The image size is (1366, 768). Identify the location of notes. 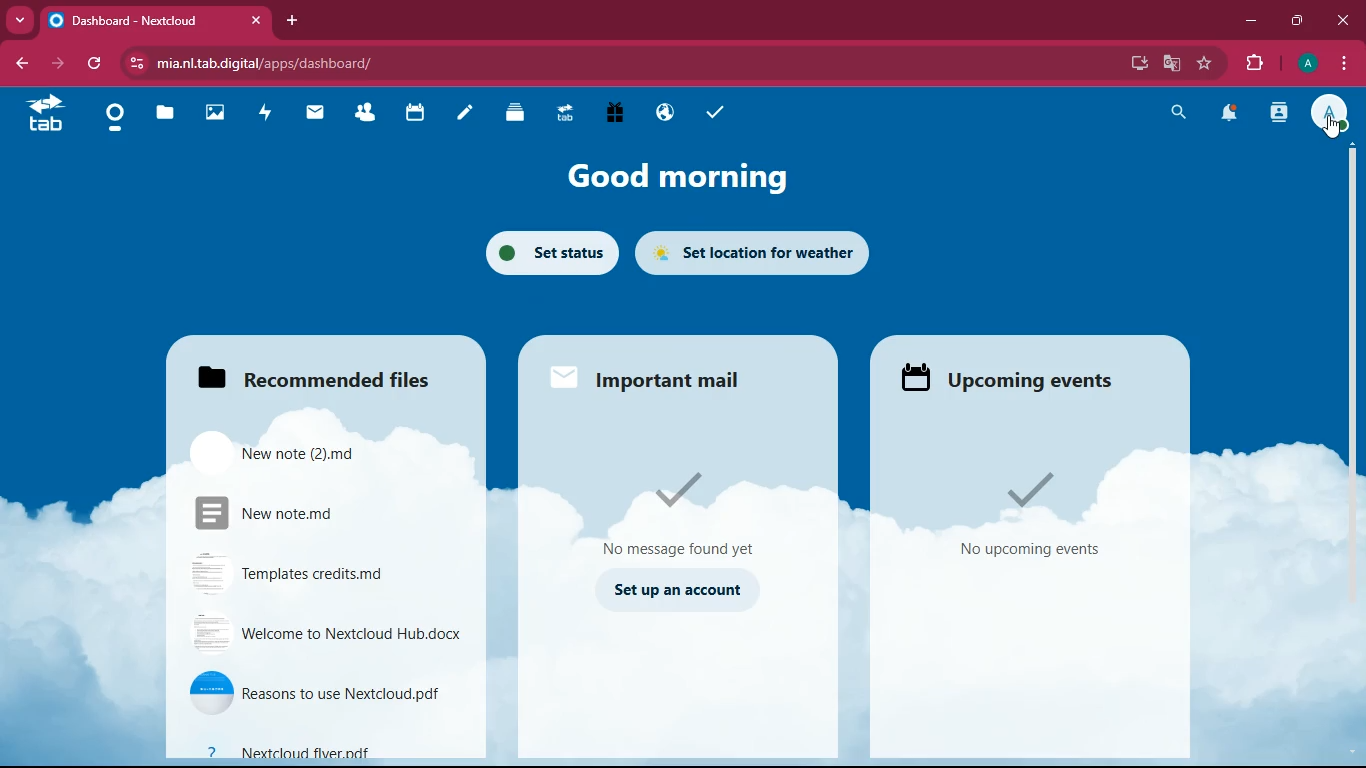
(458, 114).